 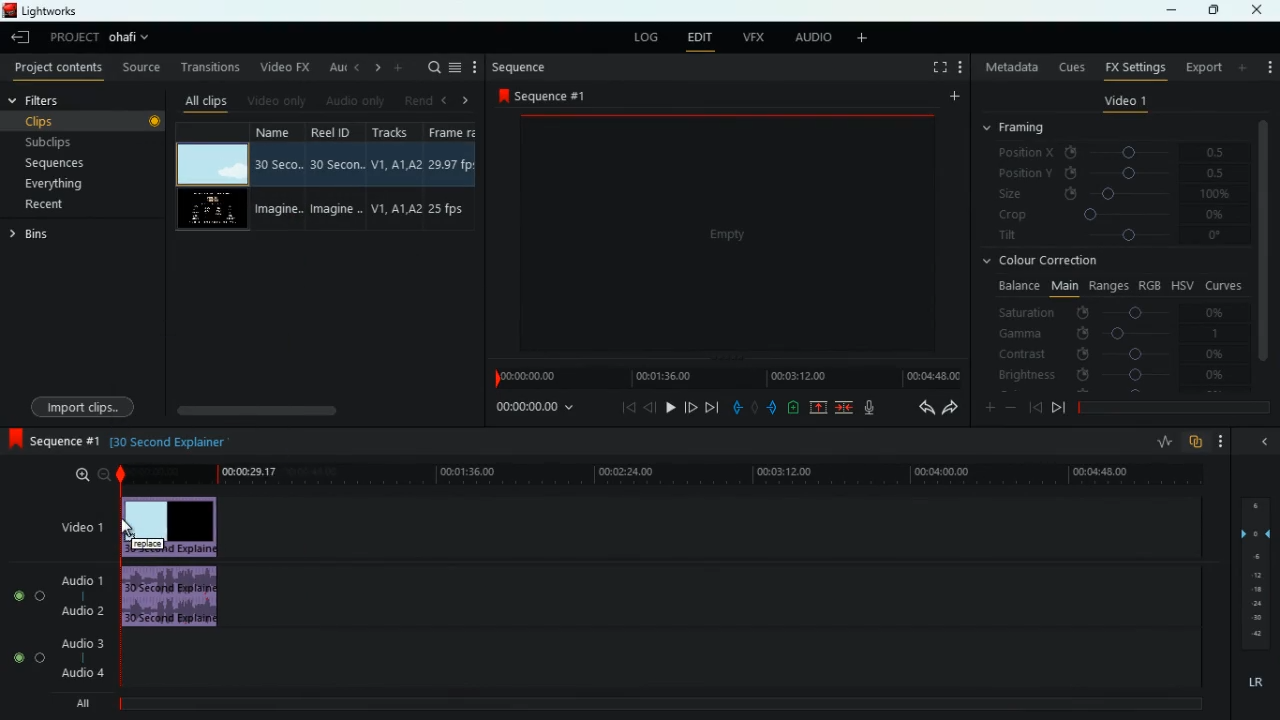 I want to click on end, so click(x=712, y=406).